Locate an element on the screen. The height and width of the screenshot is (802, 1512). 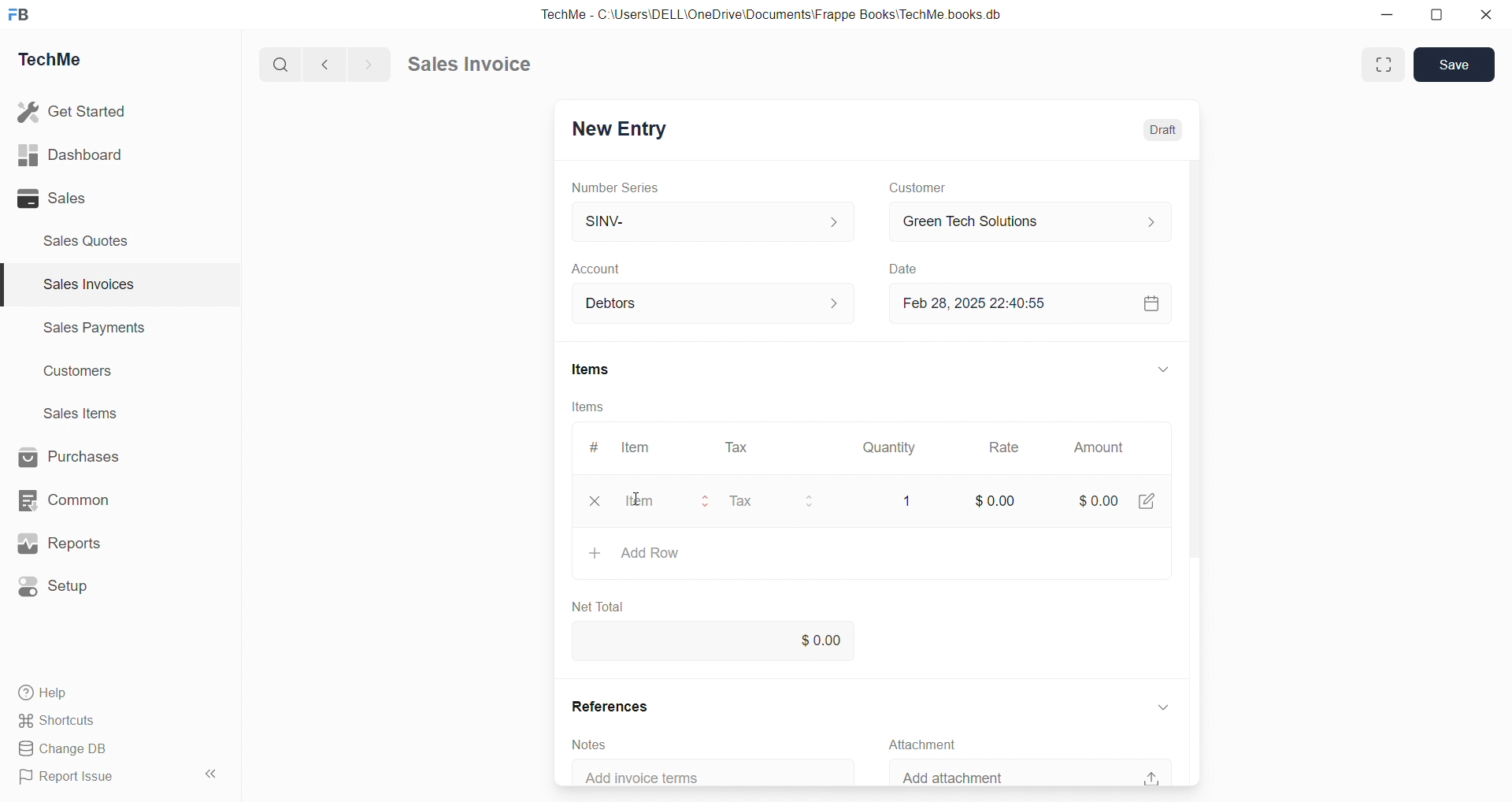
Purchases is located at coordinates (69, 456).